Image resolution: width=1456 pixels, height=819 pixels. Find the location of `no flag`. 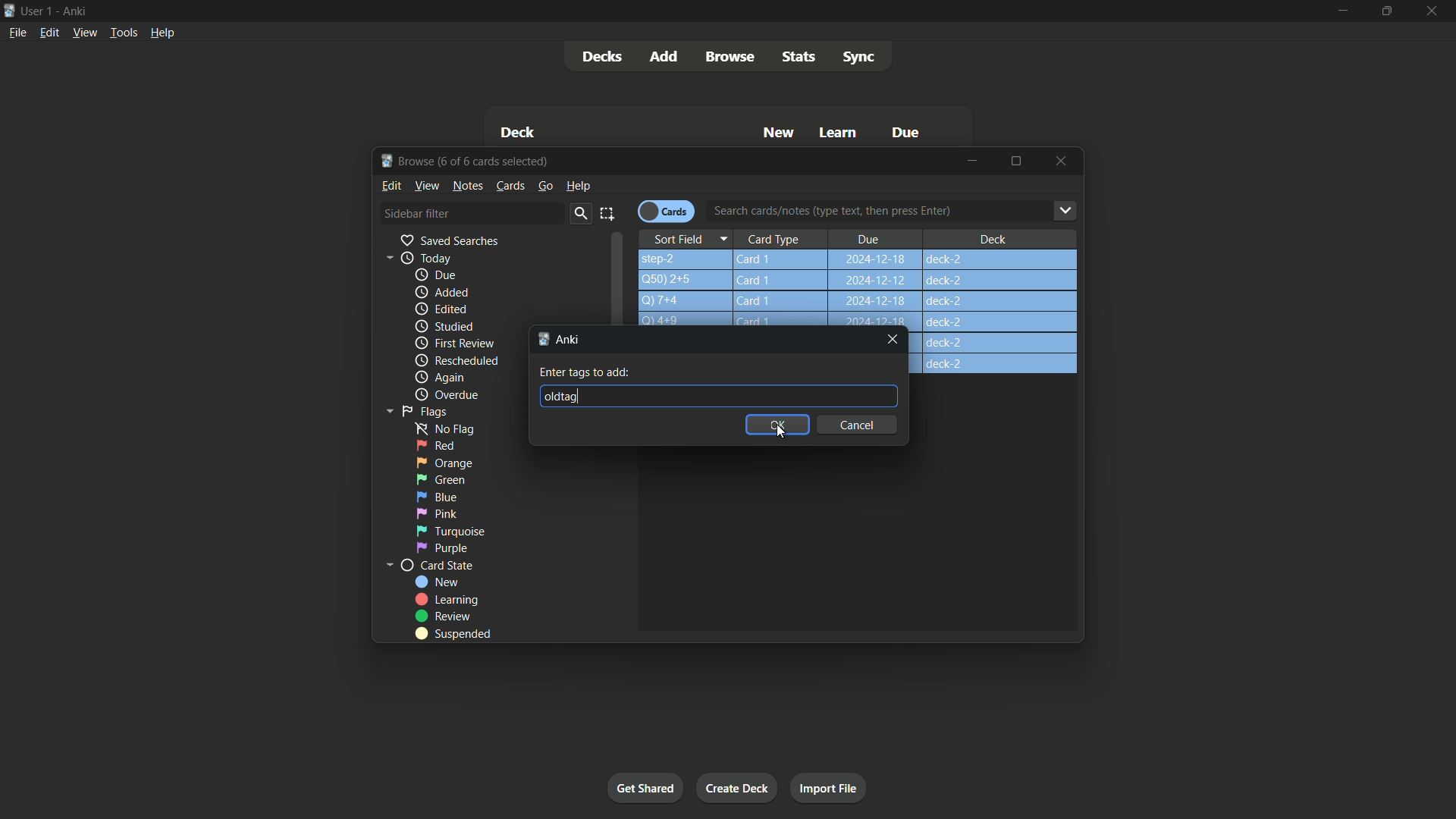

no flag is located at coordinates (440, 428).